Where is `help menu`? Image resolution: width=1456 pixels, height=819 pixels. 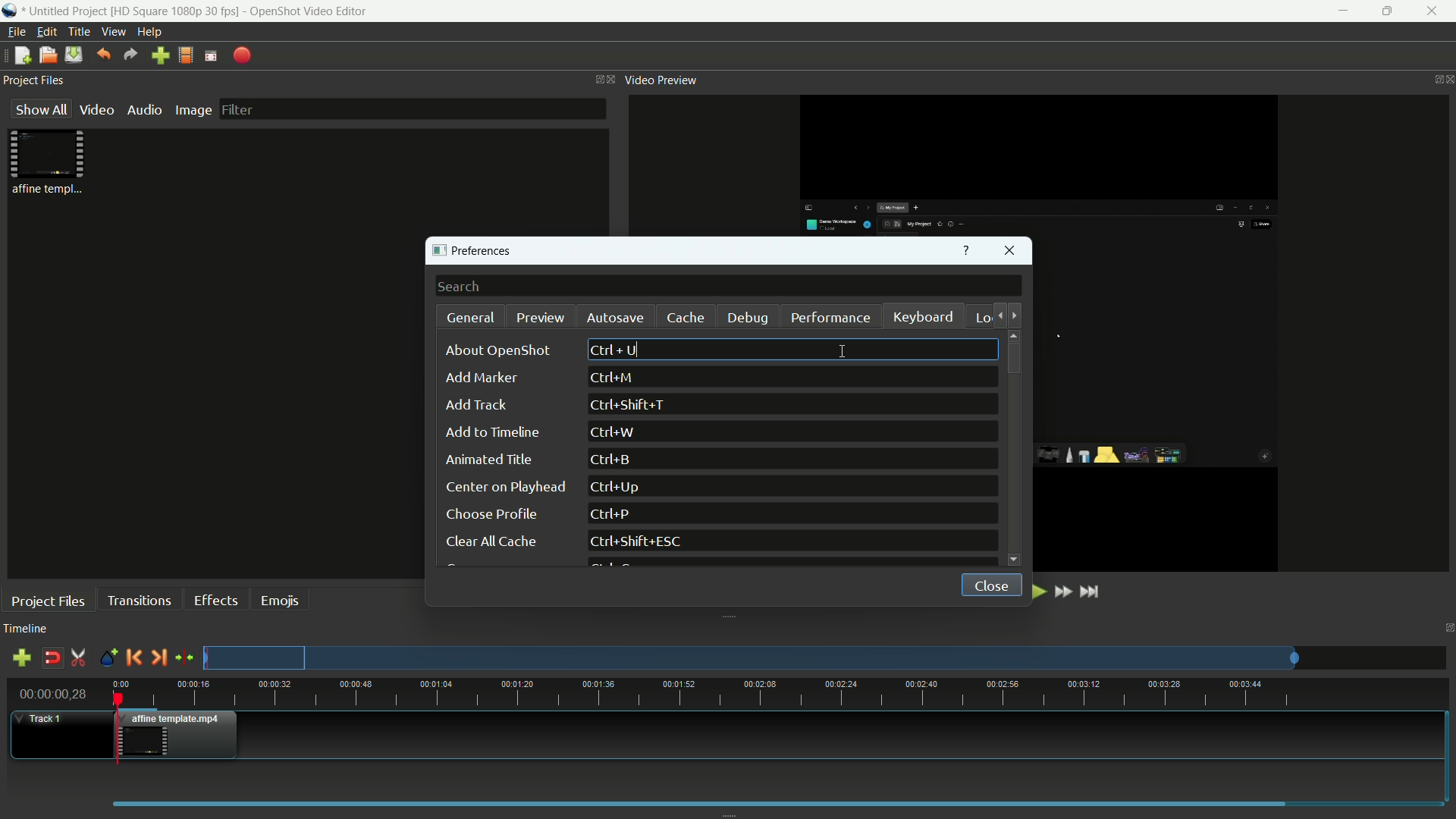 help menu is located at coordinates (152, 33).